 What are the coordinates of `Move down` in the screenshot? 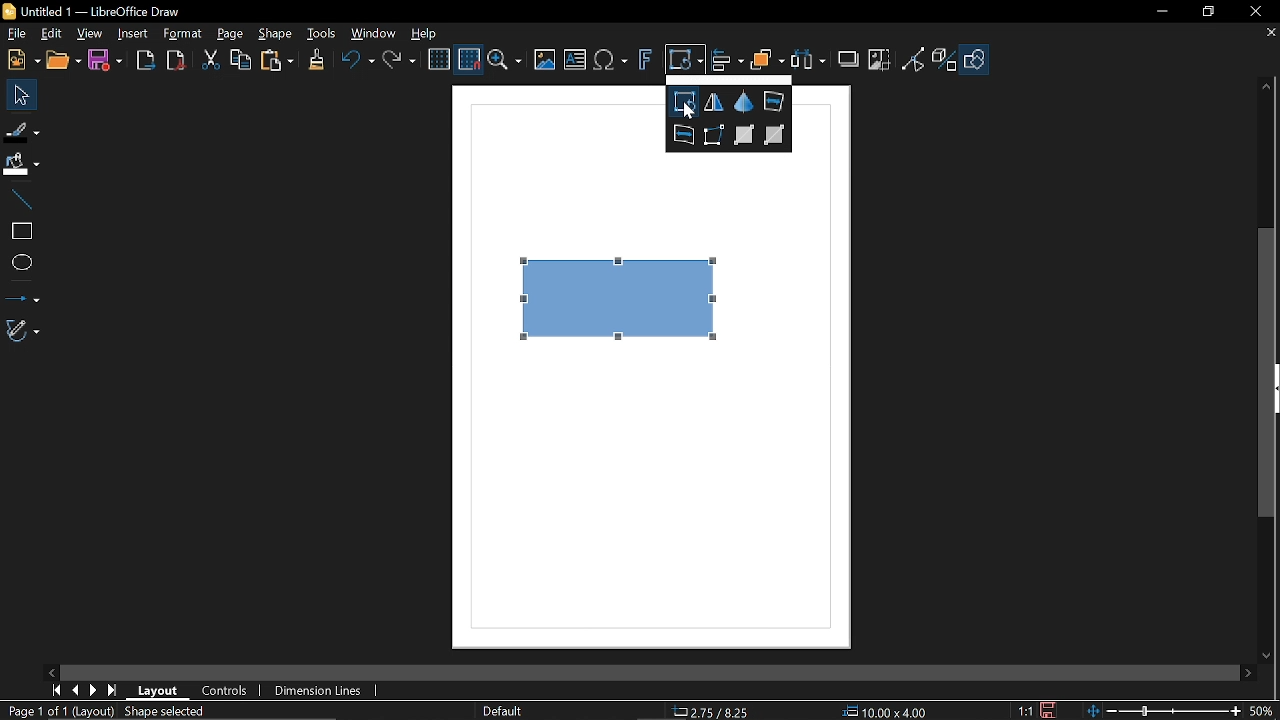 It's located at (1270, 656).